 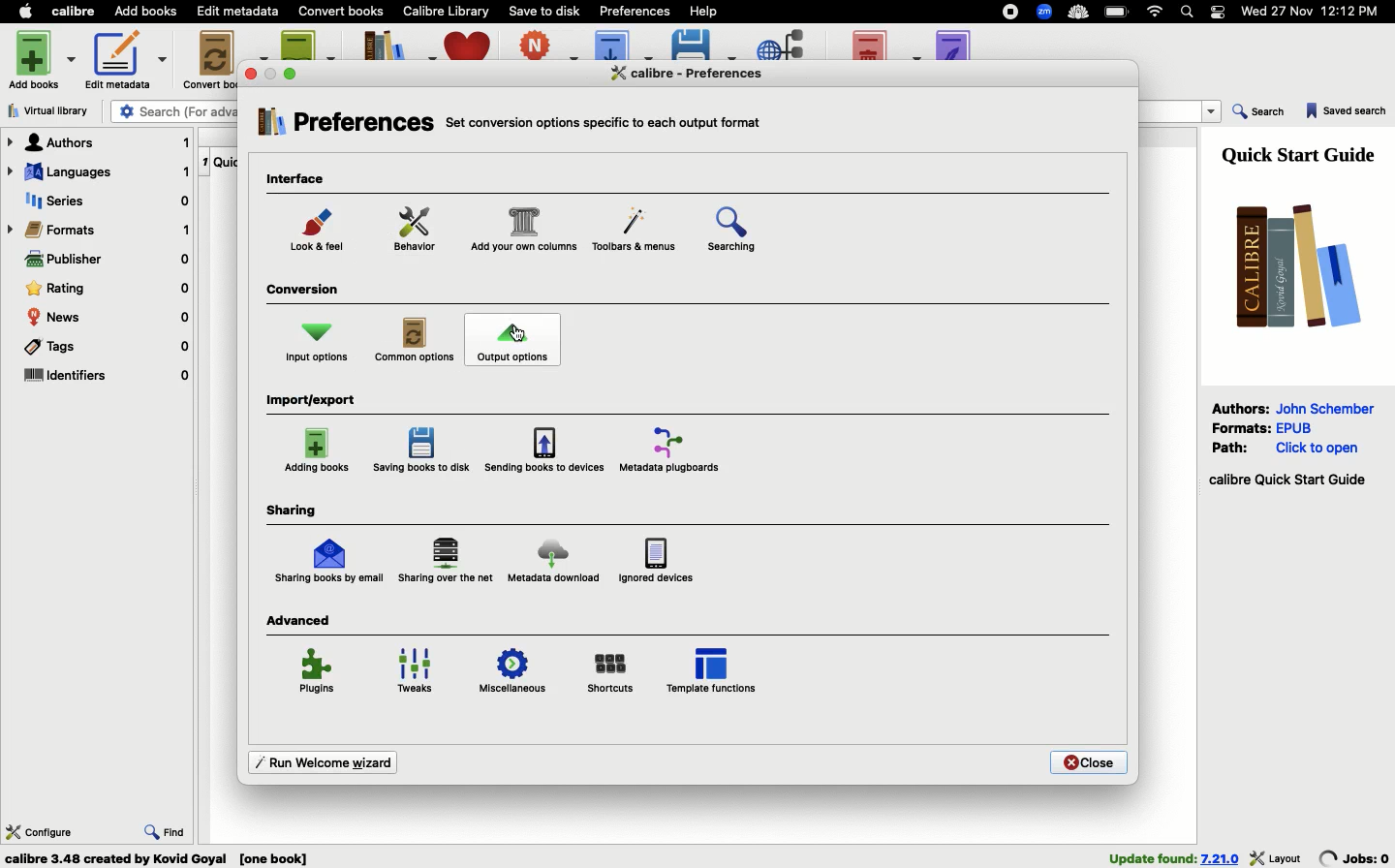 I want to click on Extensions, so click(x=1046, y=14).